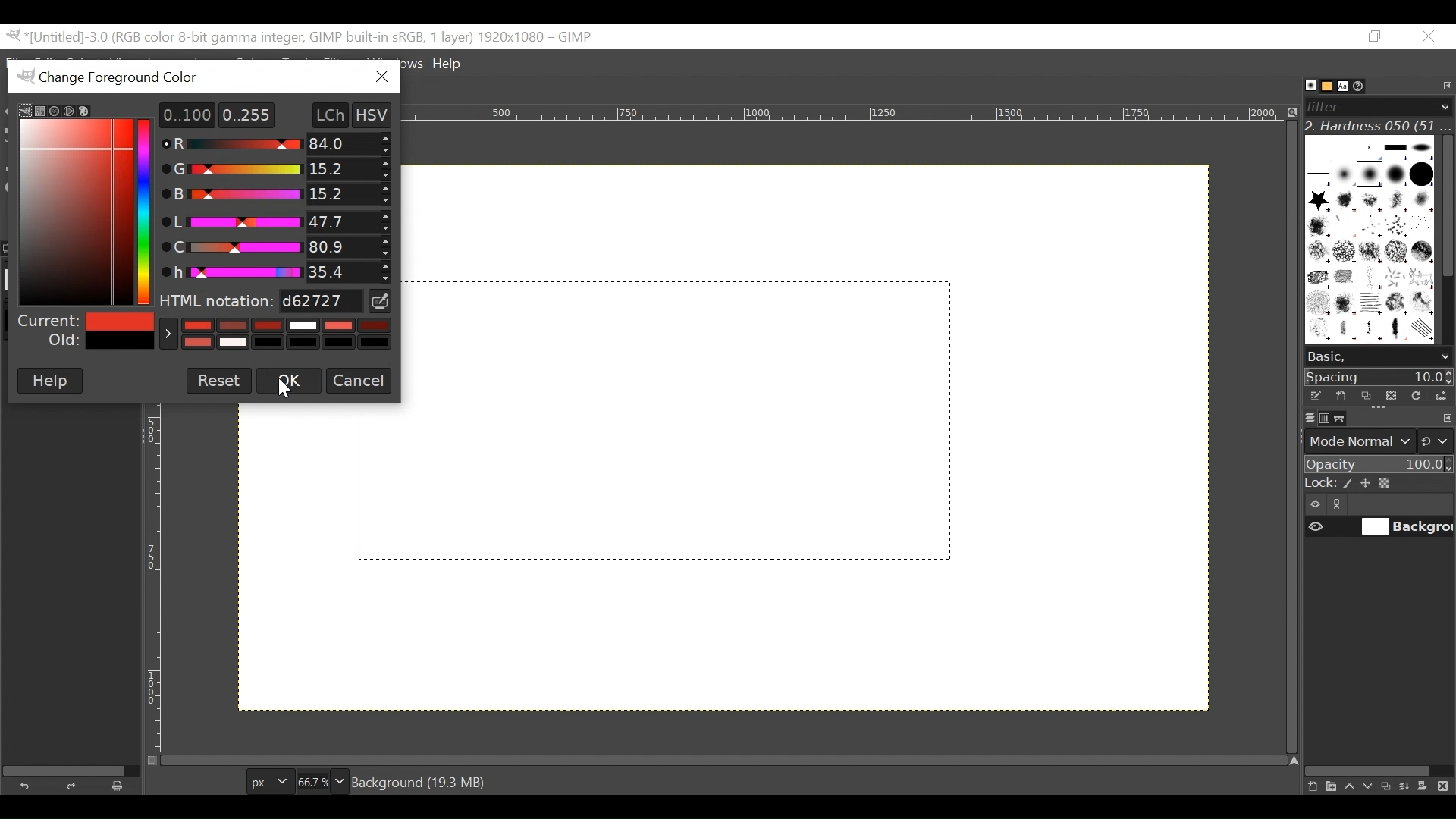 The image size is (1456, 819). What do you see at coordinates (28, 784) in the screenshot?
I see `Undo` at bounding box center [28, 784].